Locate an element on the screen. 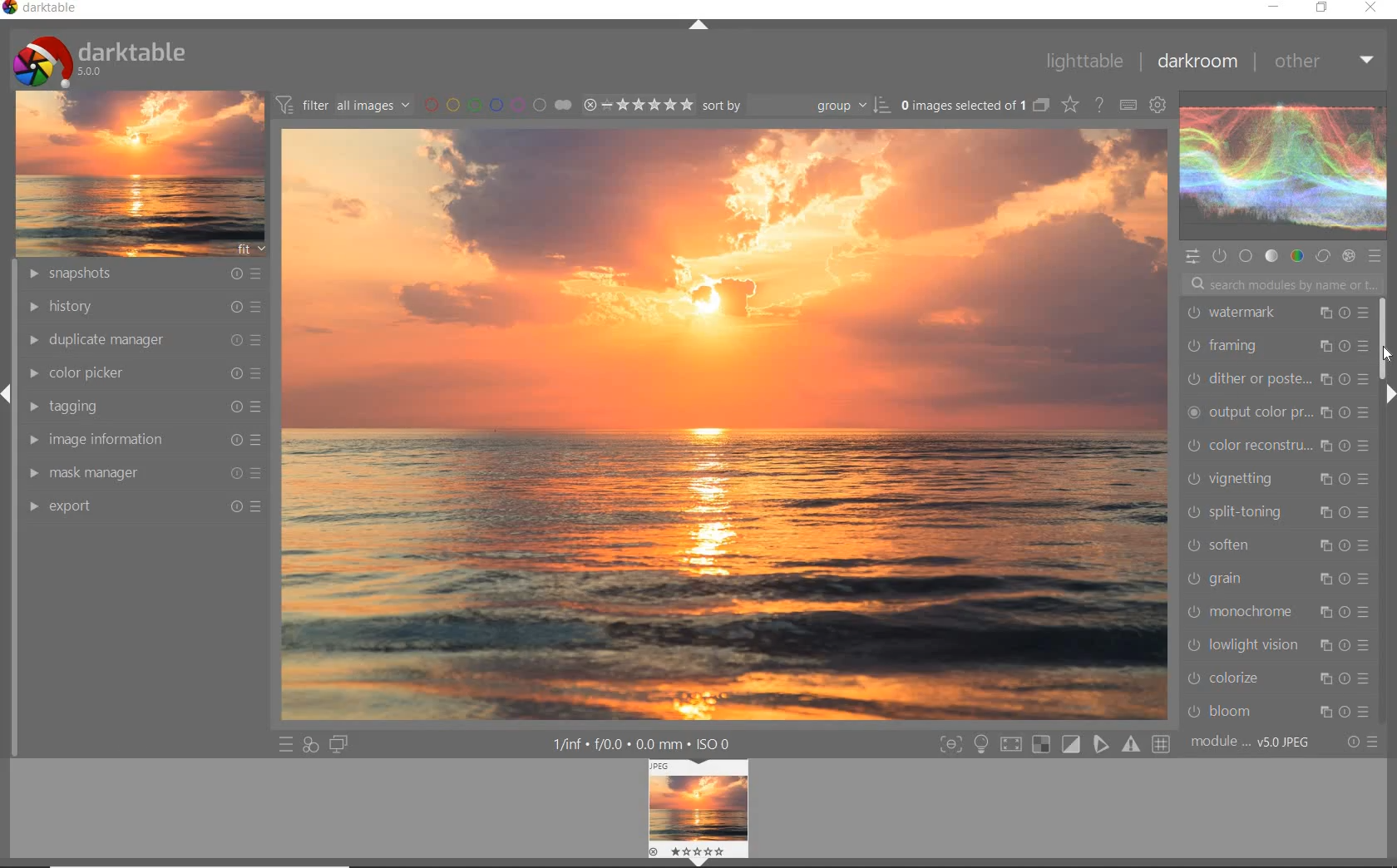 The width and height of the screenshot is (1397, 868). BASE is located at coordinates (1247, 256).